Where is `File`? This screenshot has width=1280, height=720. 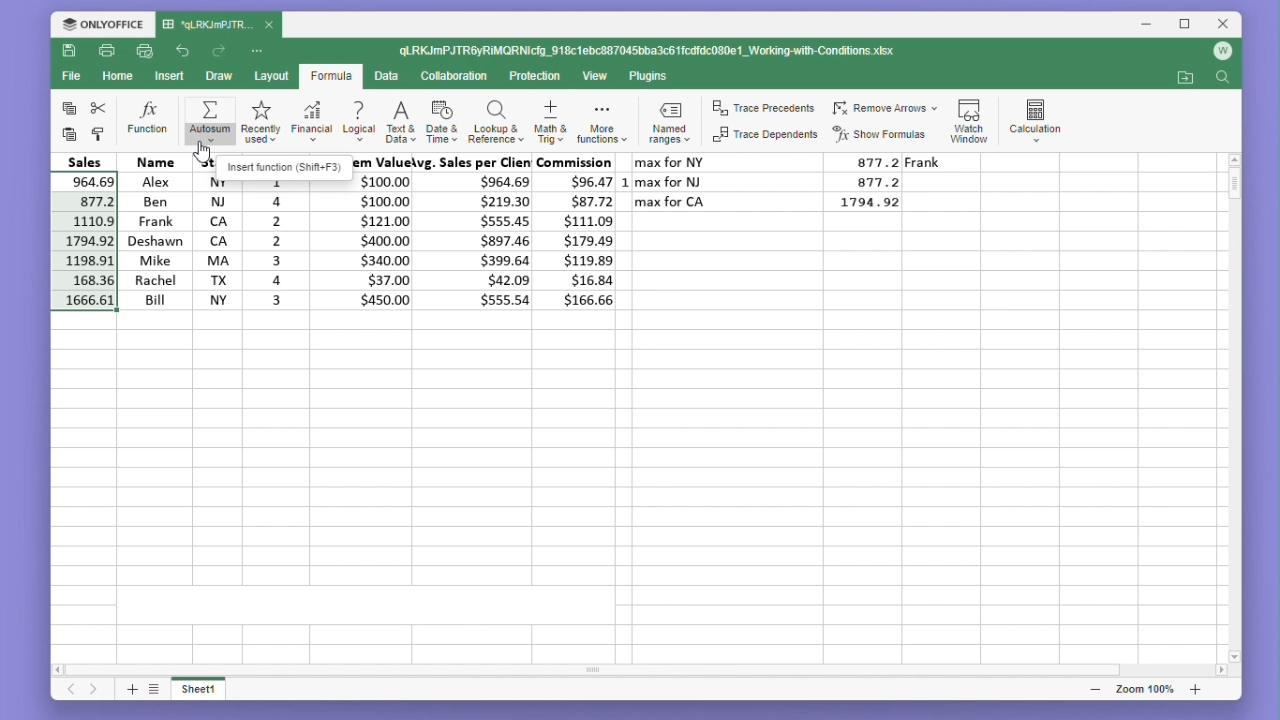 File is located at coordinates (70, 76).